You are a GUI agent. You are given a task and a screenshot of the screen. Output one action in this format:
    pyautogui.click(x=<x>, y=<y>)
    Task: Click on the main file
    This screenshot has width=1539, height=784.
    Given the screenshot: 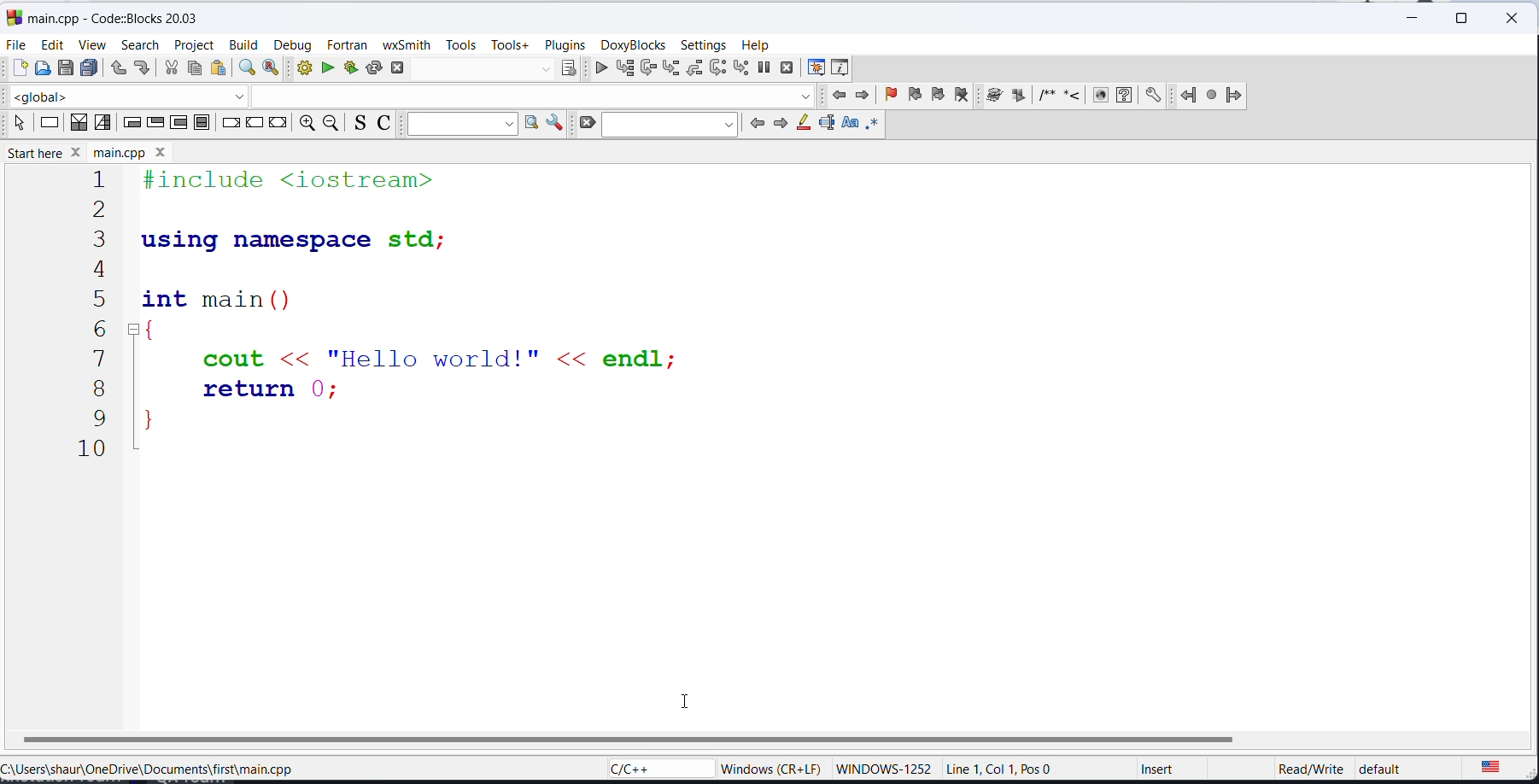 What is the action you would take?
    pyautogui.click(x=136, y=151)
    